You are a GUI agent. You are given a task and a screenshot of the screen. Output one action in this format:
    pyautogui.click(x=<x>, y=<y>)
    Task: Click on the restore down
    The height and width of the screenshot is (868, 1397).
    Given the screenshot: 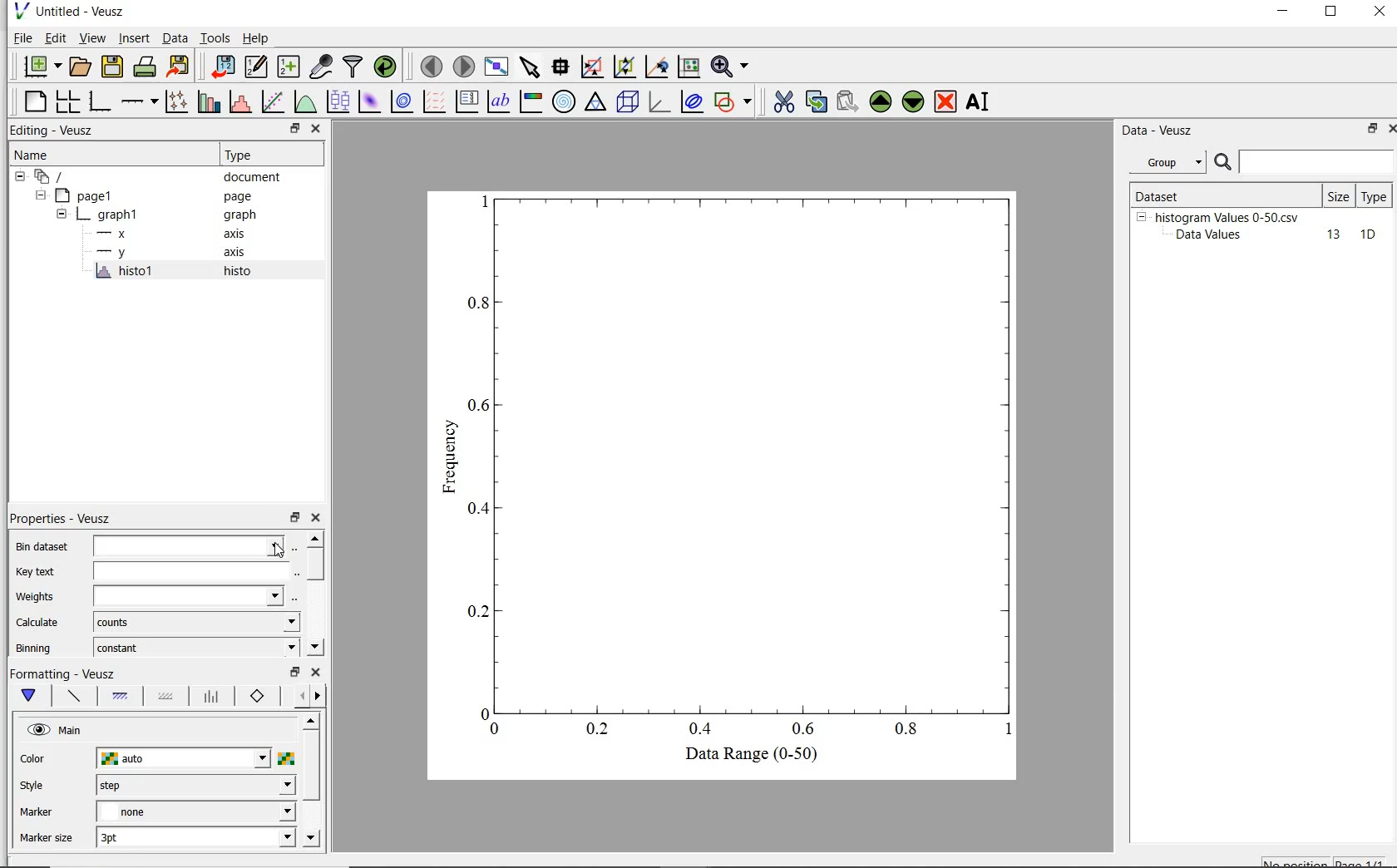 What is the action you would take?
    pyautogui.click(x=1367, y=130)
    